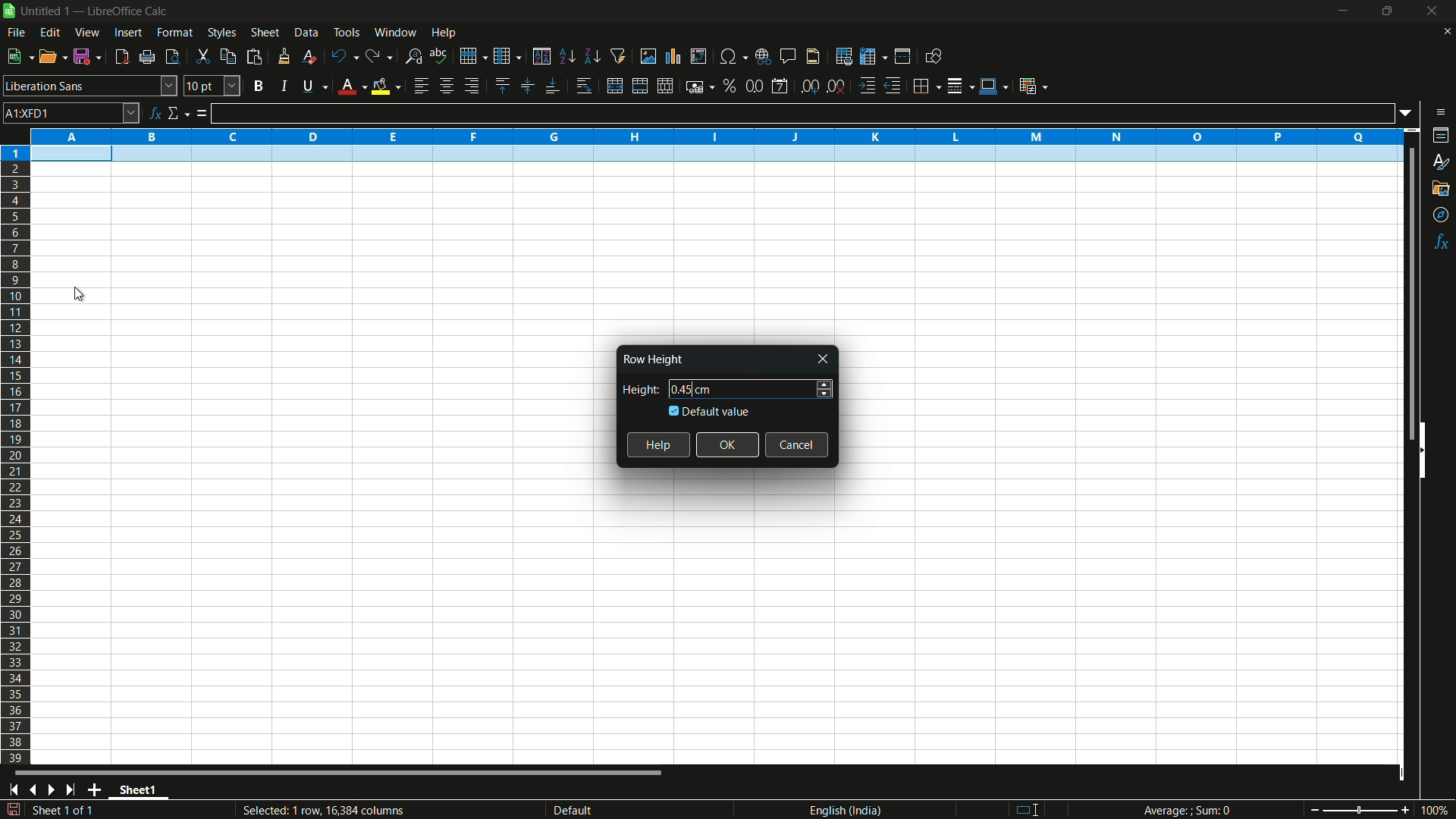  What do you see at coordinates (730, 85) in the screenshot?
I see `format as percent` at bounding box center [730, 85].